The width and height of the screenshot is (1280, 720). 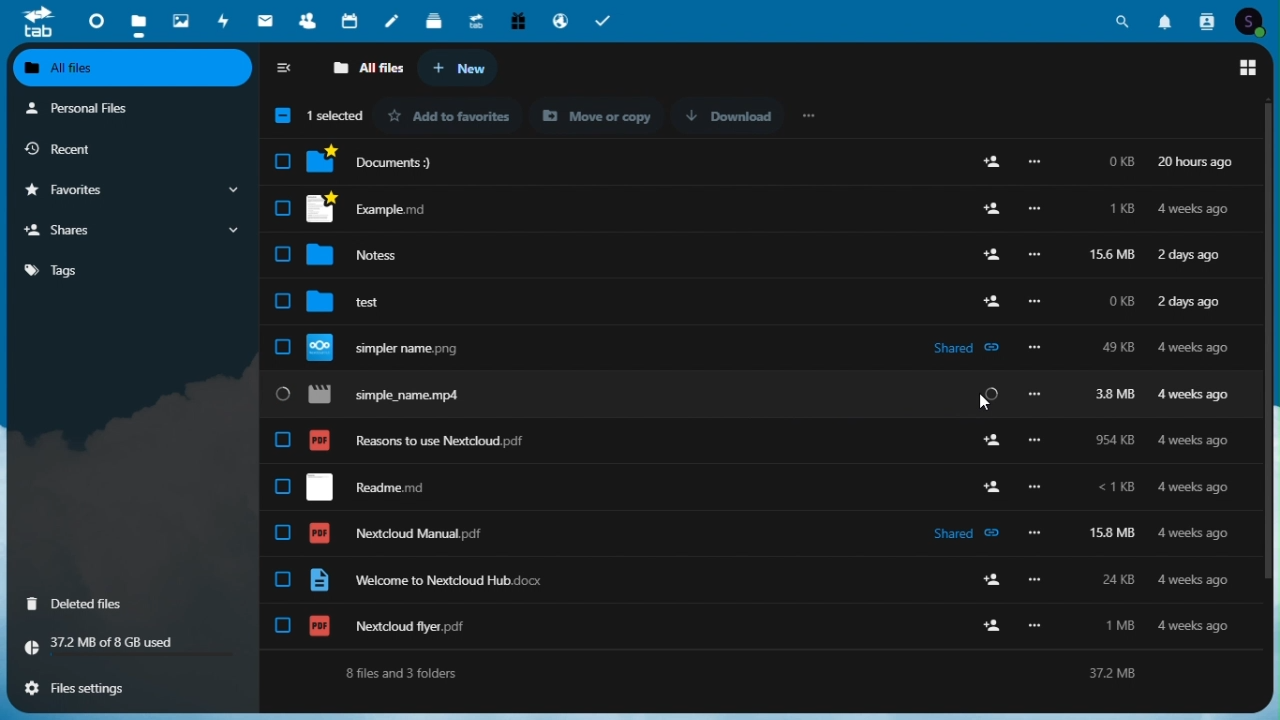 What do you see at coordinates (456, 69) in the screenshot?
I see `new` at bounding box center [456, 69].